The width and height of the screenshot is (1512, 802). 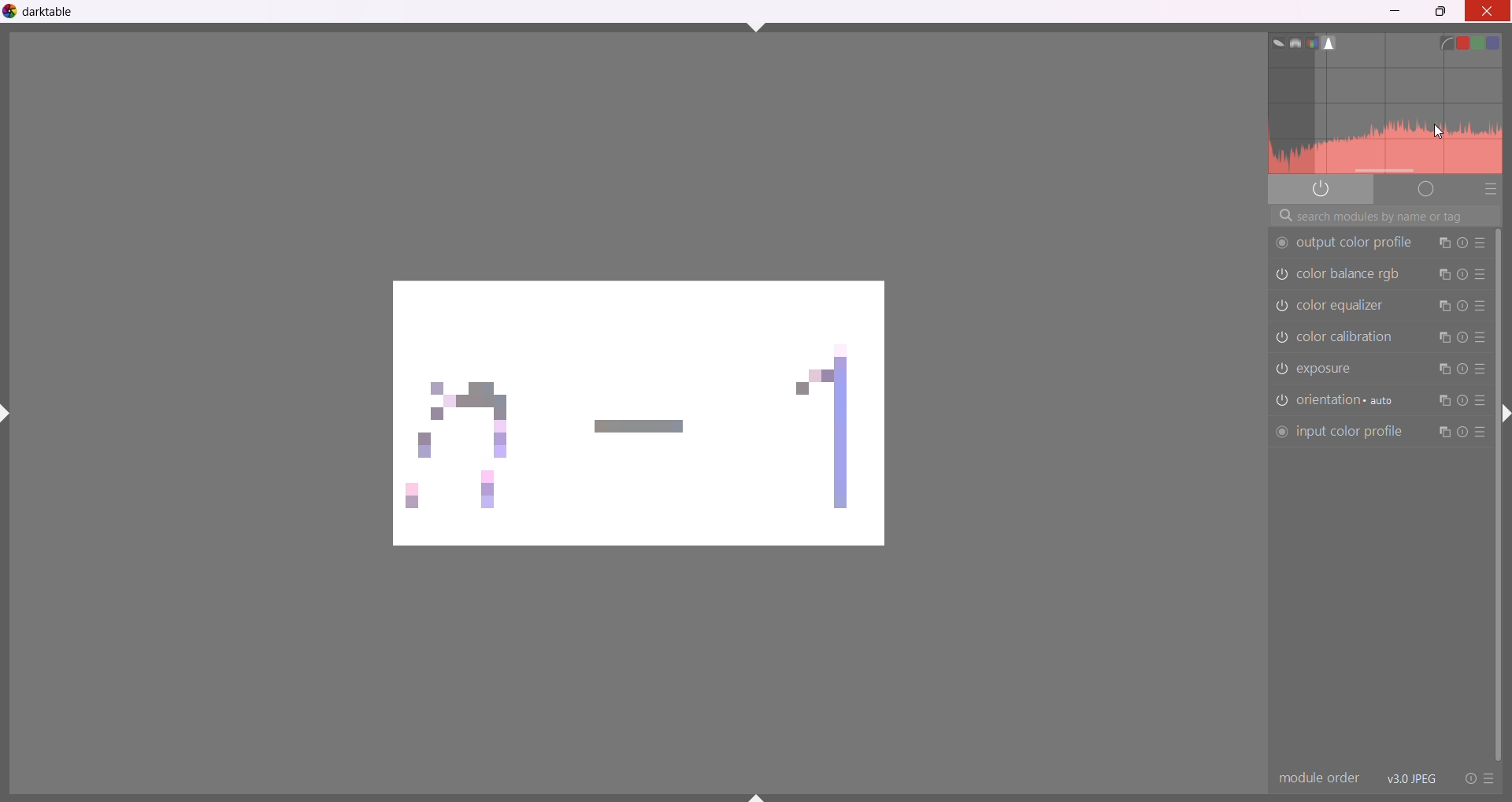 What do you see at coordinates (757, 26) in the screenshot?
I see `shift+ctrl+t` at bounding box center [757, 26].